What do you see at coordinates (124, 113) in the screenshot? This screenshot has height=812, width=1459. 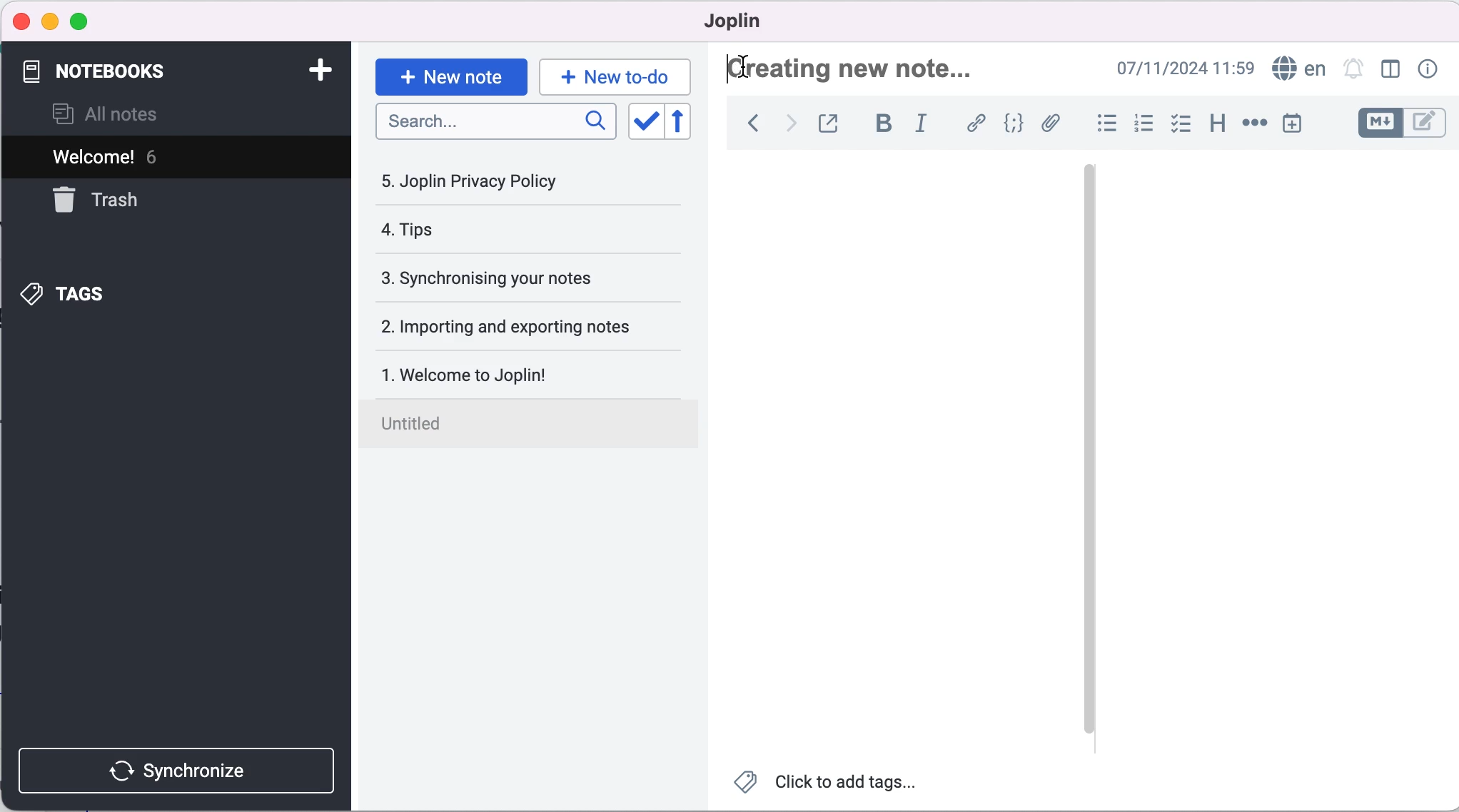 I see `all notes` at bounding box center [124, 113].